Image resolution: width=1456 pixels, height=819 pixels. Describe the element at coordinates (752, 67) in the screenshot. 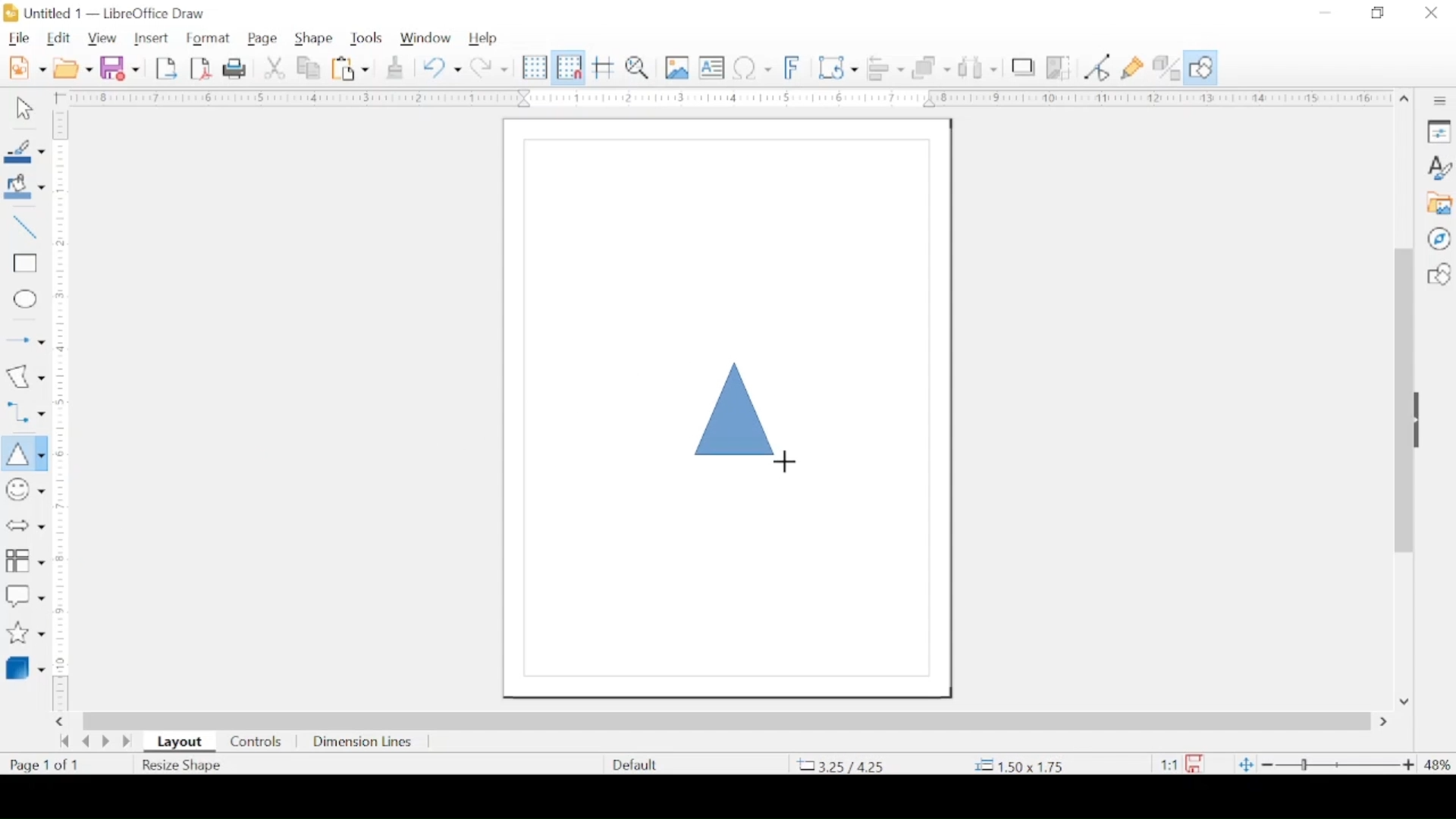

I see `insert special characters` at that location.